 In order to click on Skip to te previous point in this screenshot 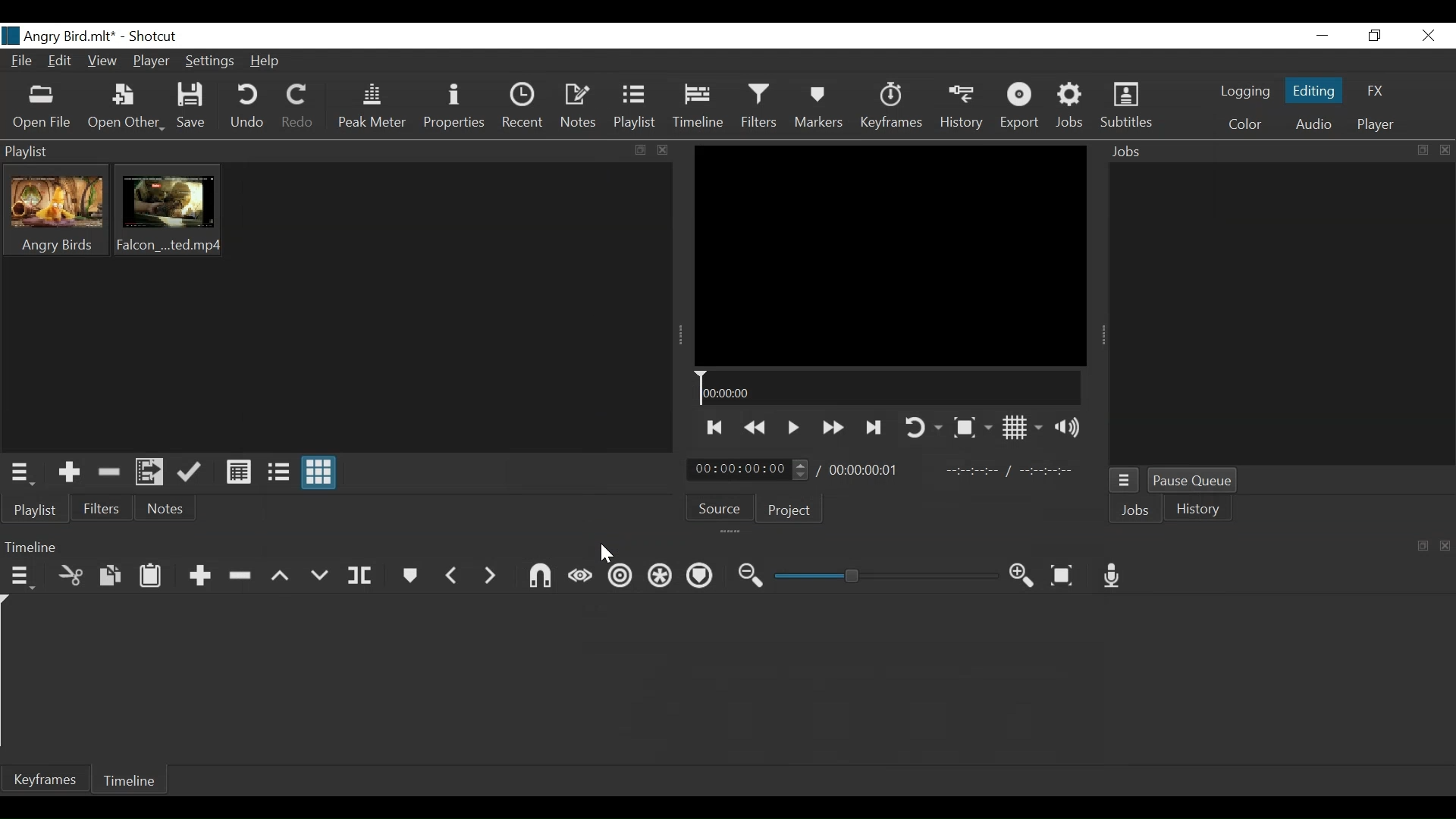, I will do `click(713, 428)`.